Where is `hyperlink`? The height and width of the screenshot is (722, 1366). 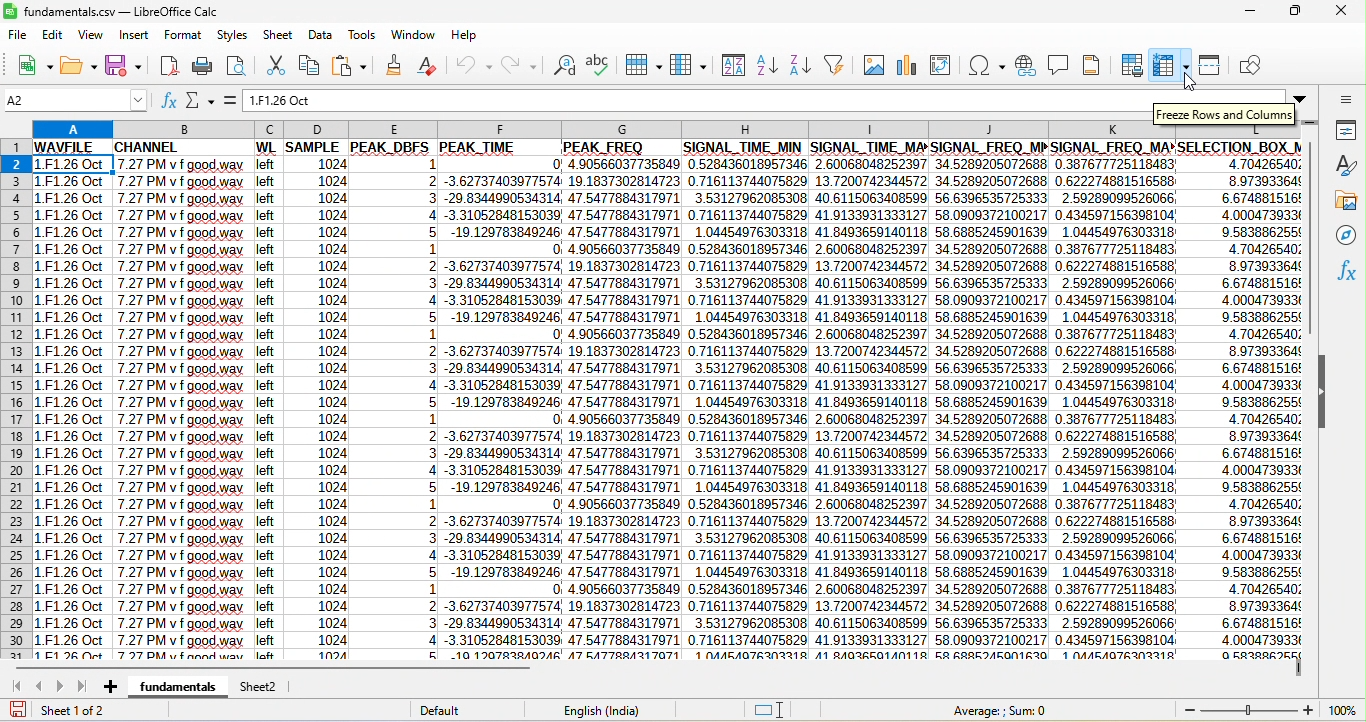 hyperlink is located at coordinates (1024, 64).